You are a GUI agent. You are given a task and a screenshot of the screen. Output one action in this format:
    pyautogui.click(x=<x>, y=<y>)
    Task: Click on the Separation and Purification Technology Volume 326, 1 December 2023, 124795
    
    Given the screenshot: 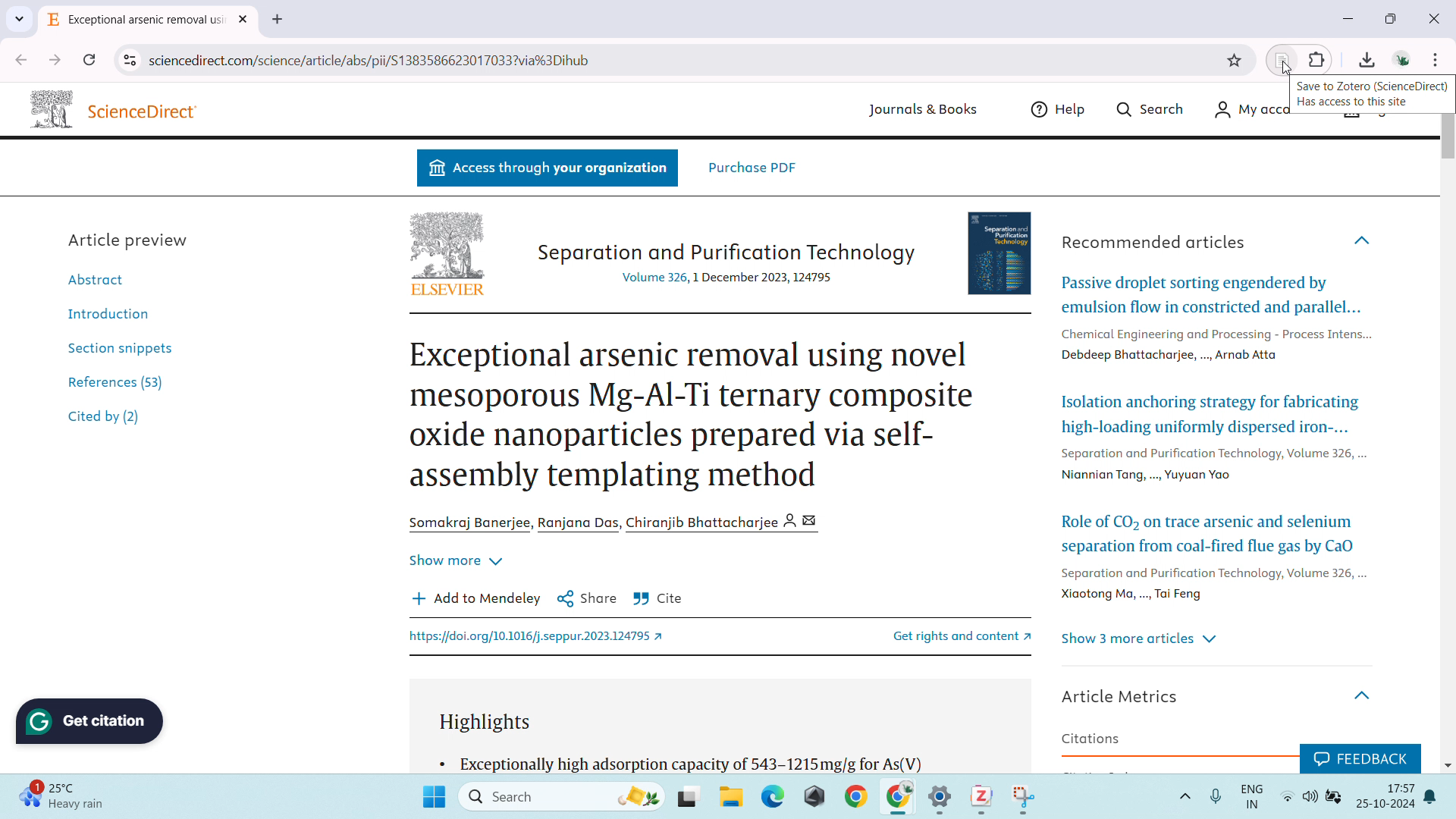 What is the action you would take?
    pyautogui.click(x=724, y=262)
    